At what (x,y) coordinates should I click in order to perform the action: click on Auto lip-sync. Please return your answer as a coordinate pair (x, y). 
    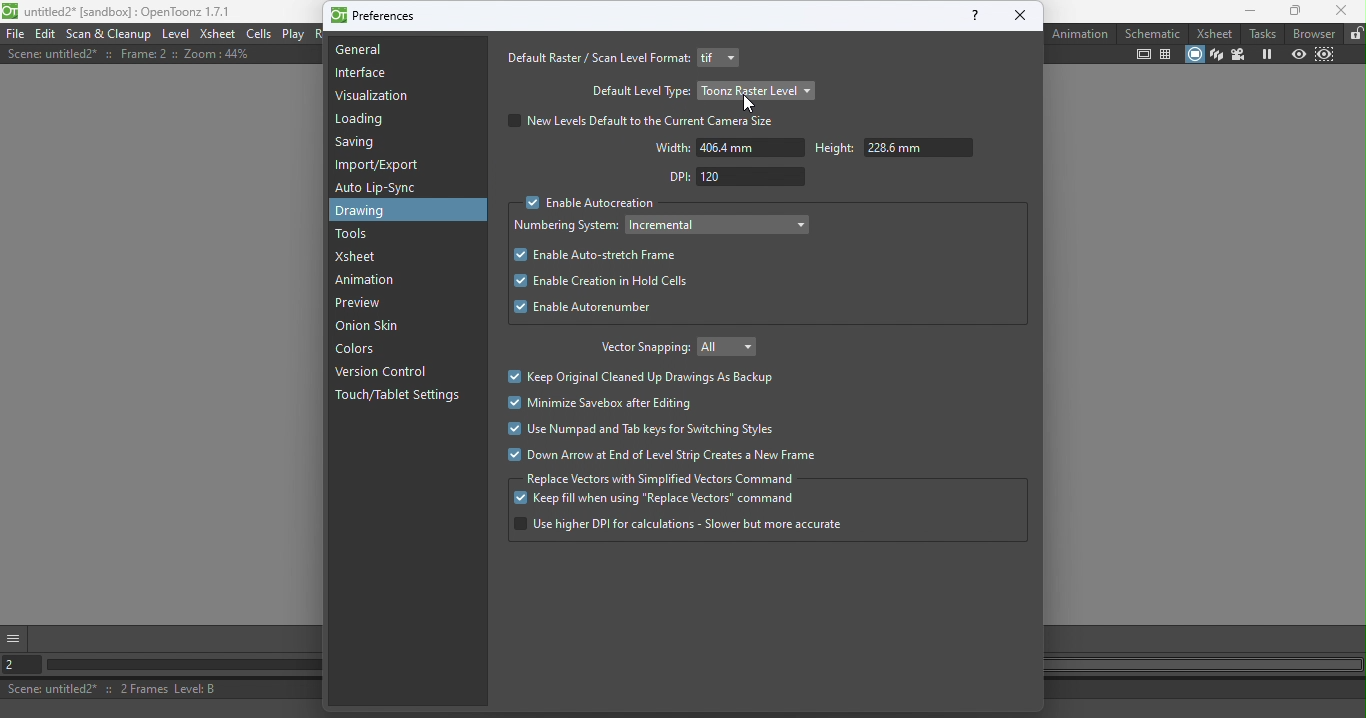
    Looking at the image, I should click on (379, 188).